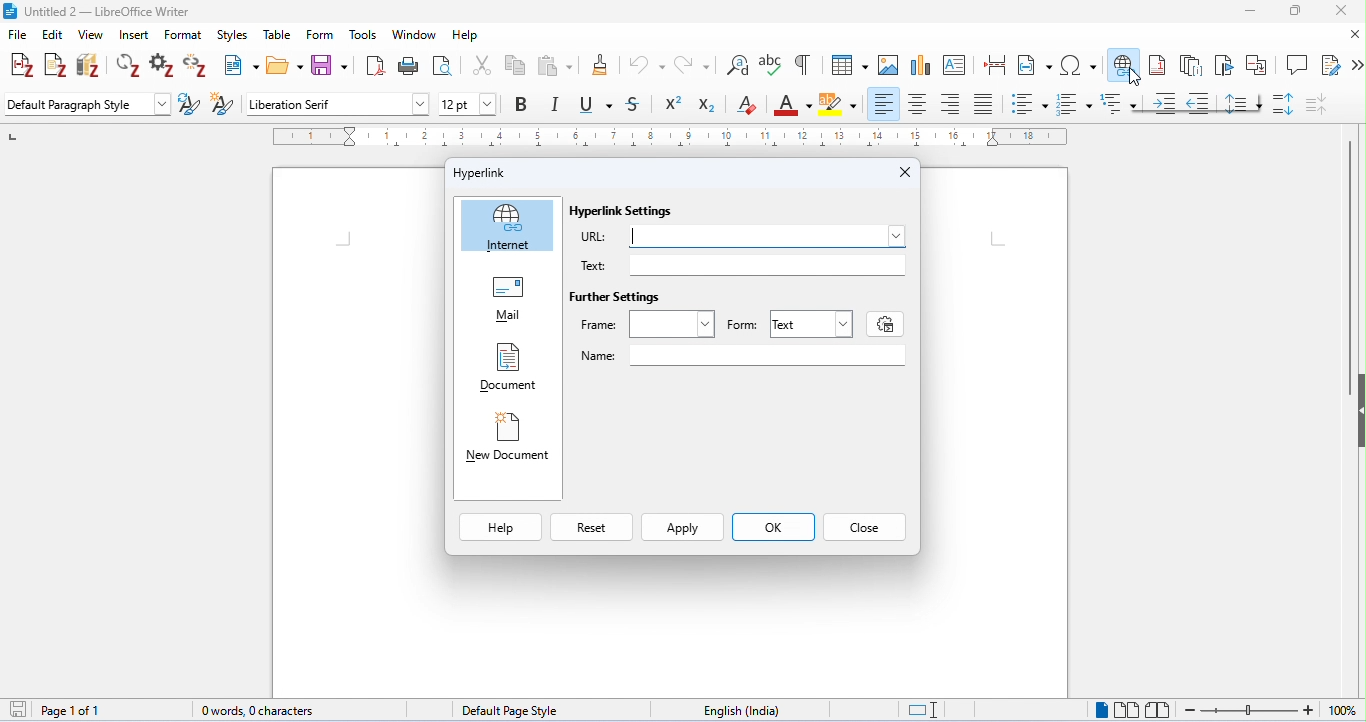  Describe the element at coordinates (1157, 64) in the screenshot. I see `insert footnote` at that location.